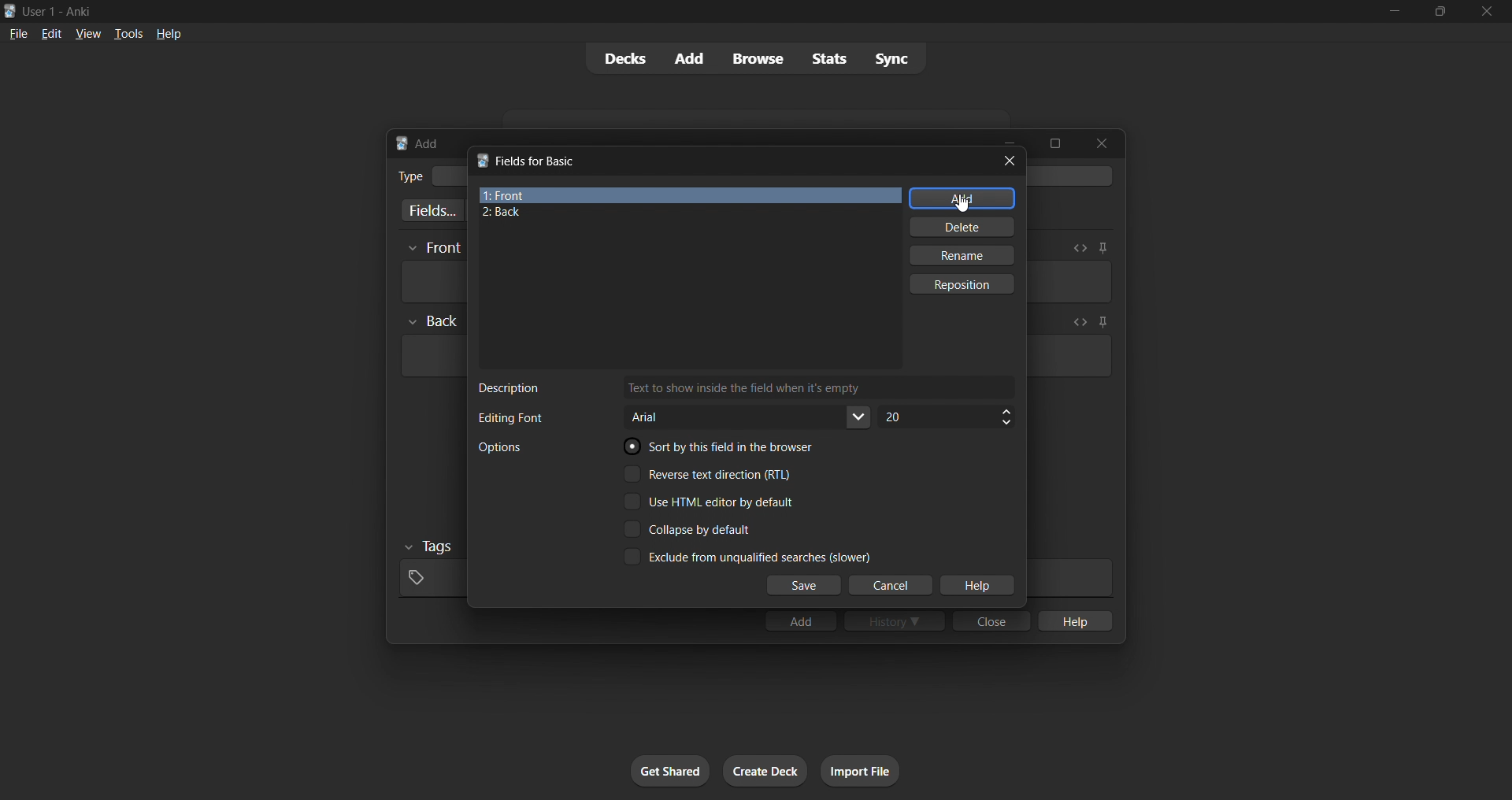  I want to click on add, so click(800, 620).